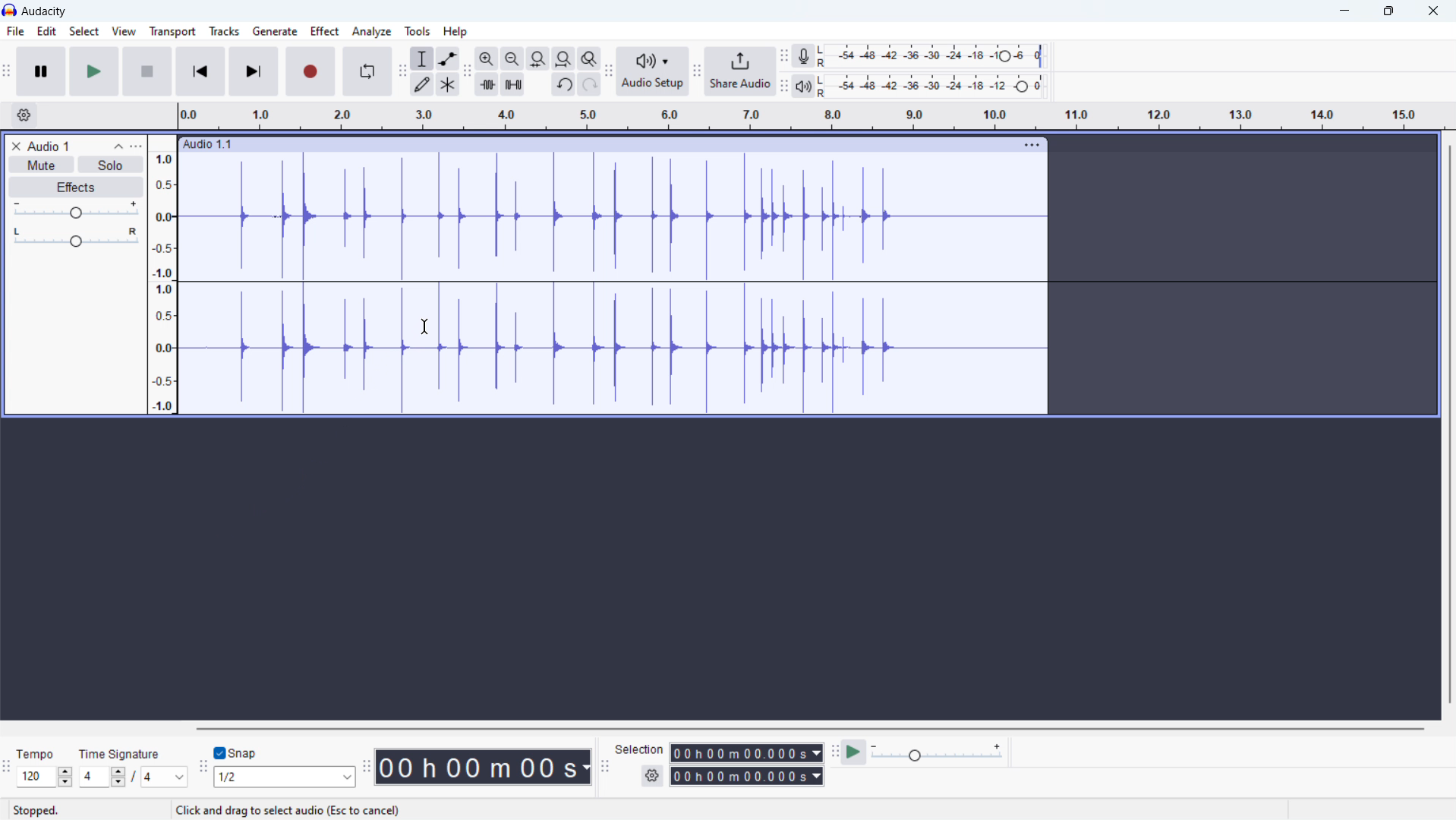 Image resolution: width=1456 pixels, height=820 pixels. What do you see at coordinates (136, 147) in the screenshot?
I see `view menu` at bounding box center [136, 147].